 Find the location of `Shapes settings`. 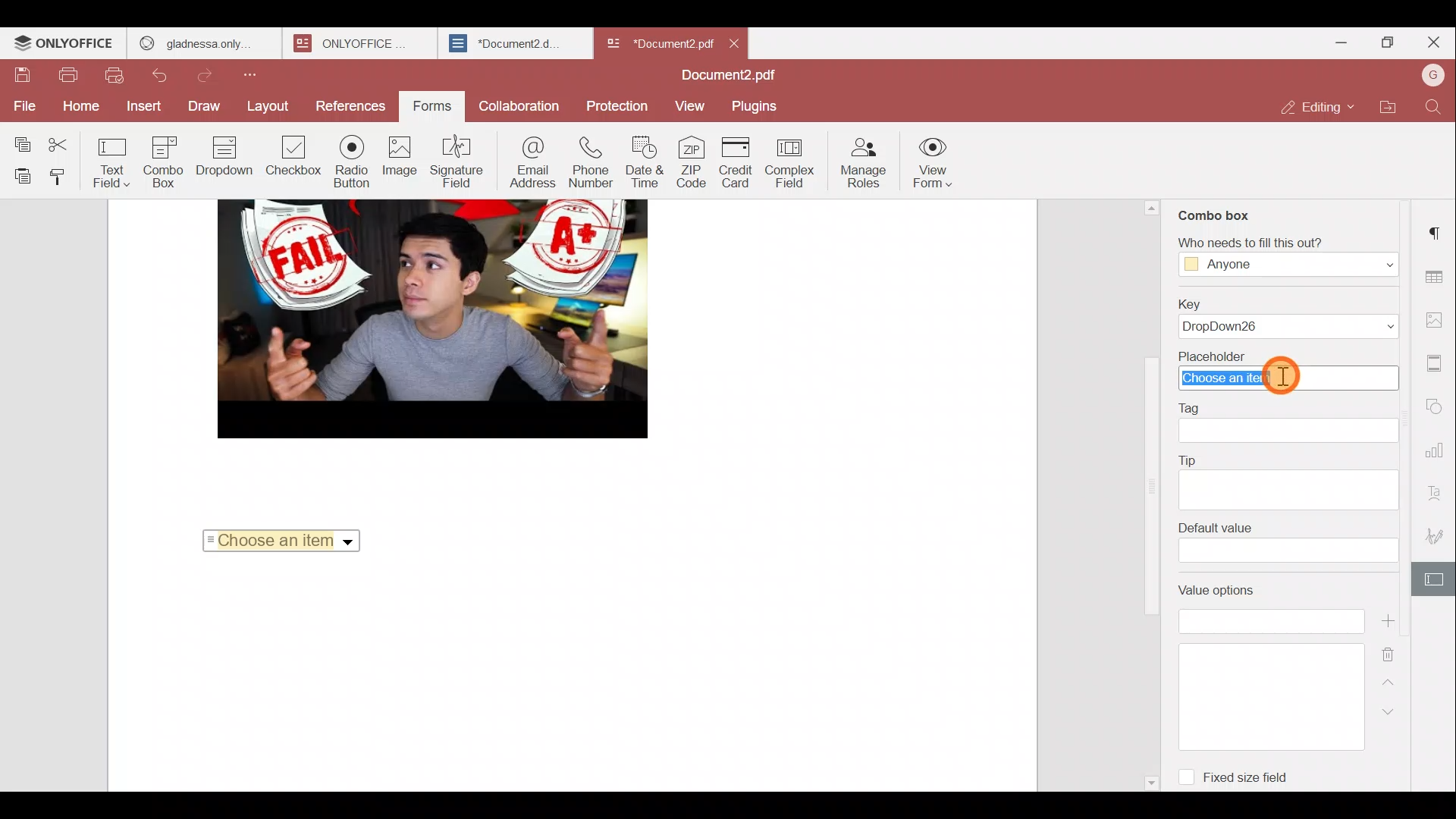

Shapes settings is located at coordinates (1439, 403).